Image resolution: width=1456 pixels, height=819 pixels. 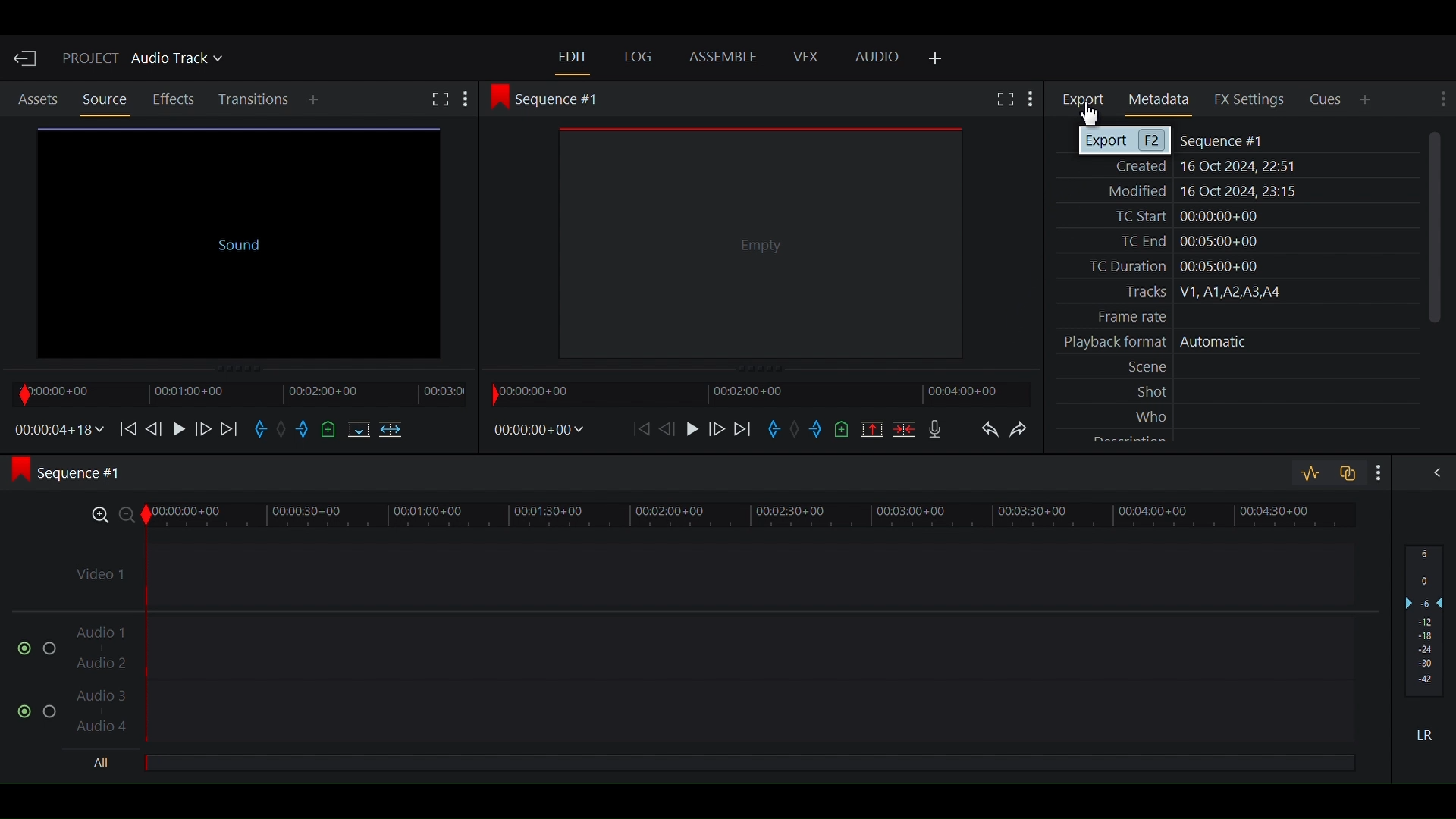 What do you see at coordinates (777, 431) in the screenshot?
I see `Mark in` at bounding box center [777, 431].